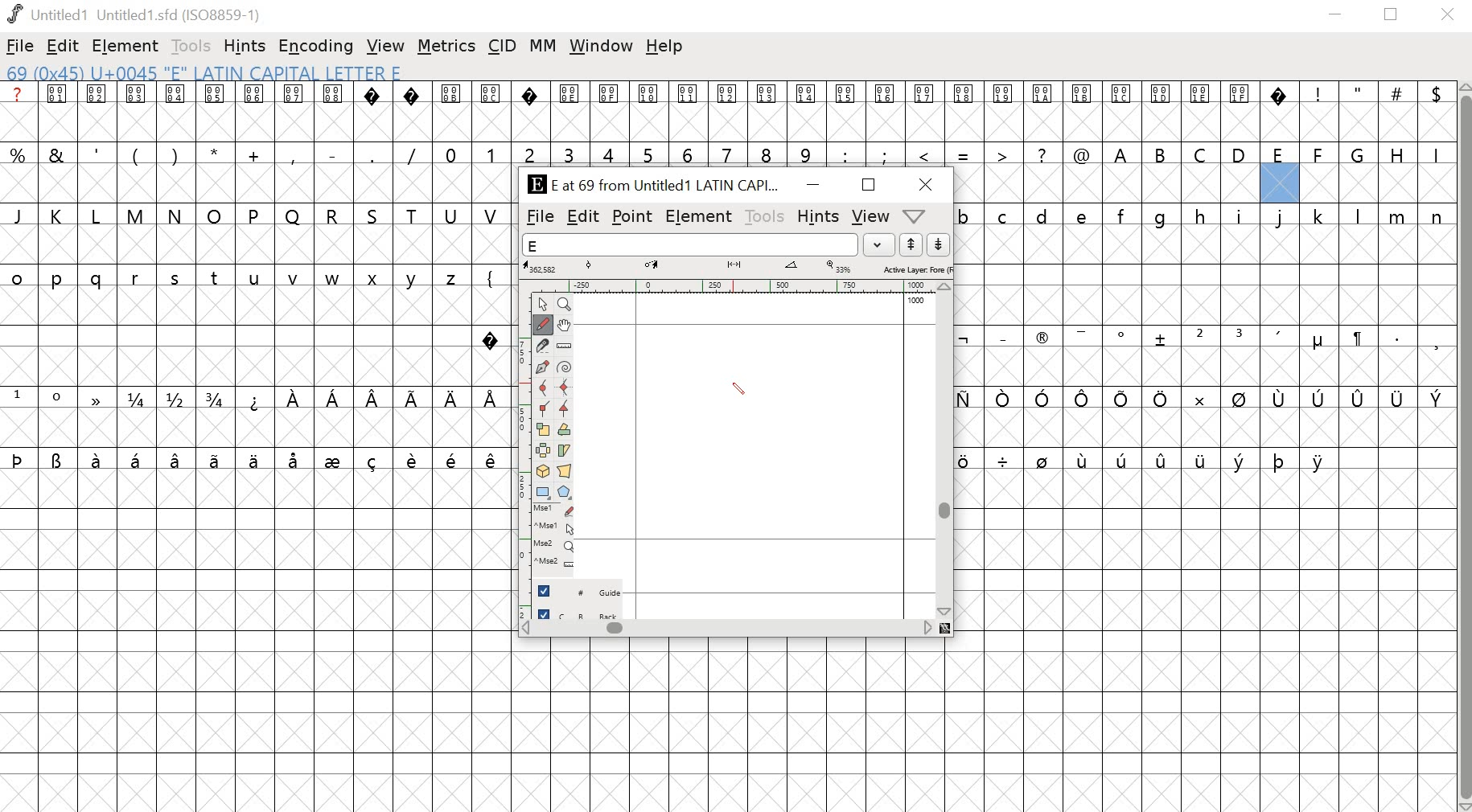 This screenshot has height=812, width=1472. I want to click on Polygon/star, so click(562, 493).